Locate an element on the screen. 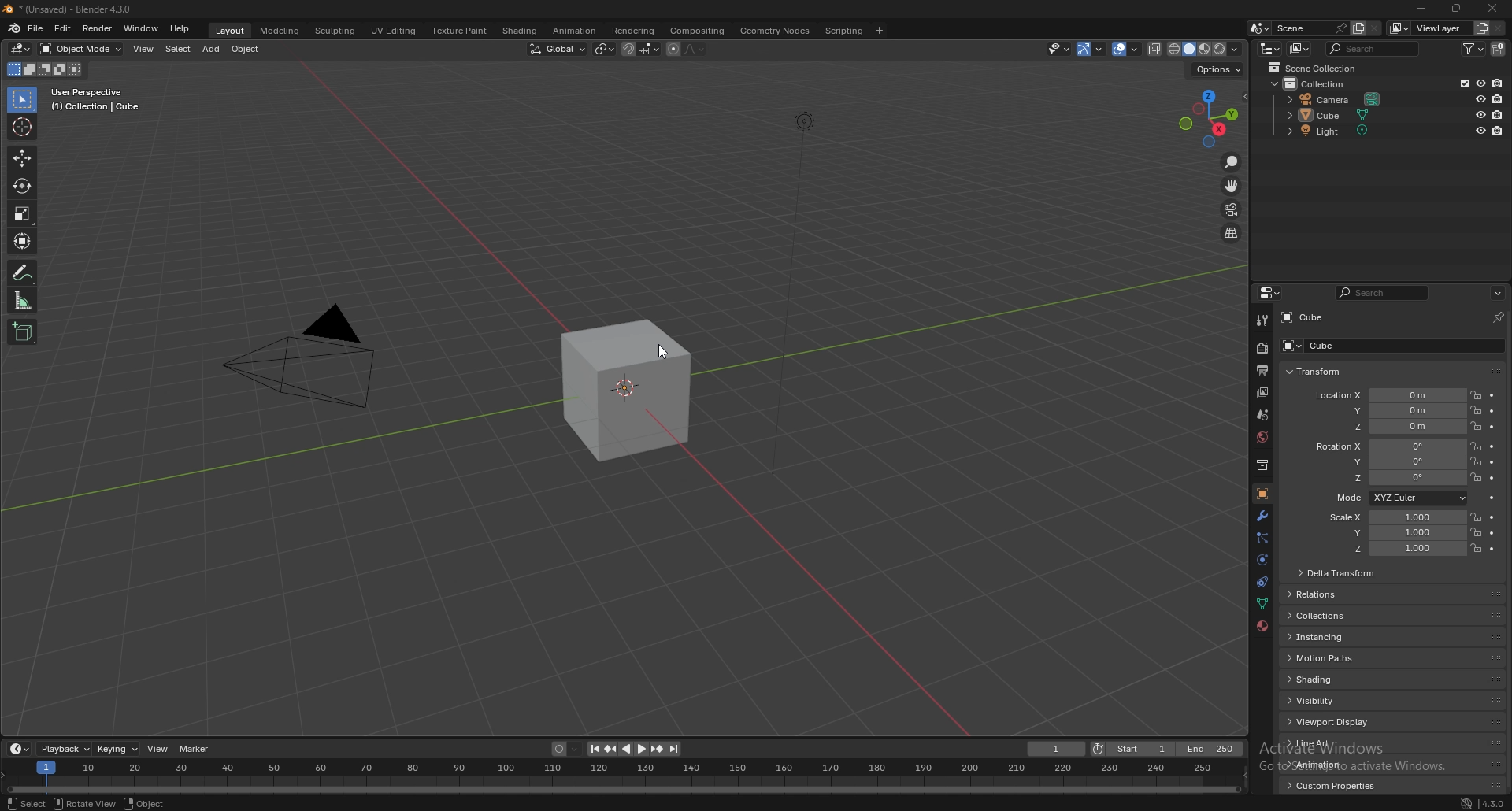 The image size is (1512, 811). marker is located at coordinates (195, 749).